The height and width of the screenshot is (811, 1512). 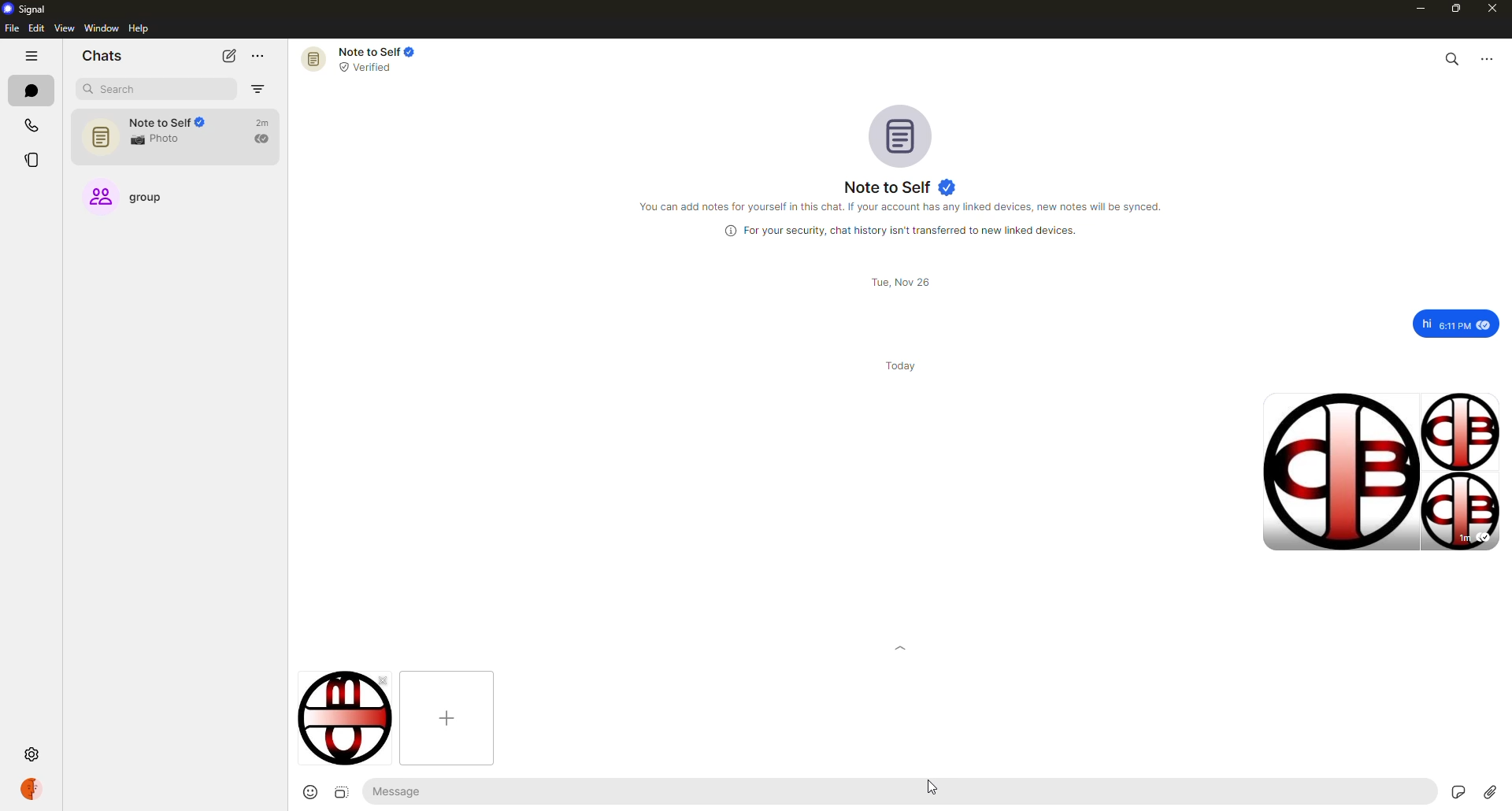 What do you see at coordinates (1414, 8) in the screenshot?
I see `minimize` at bounding box center [1414, 8].